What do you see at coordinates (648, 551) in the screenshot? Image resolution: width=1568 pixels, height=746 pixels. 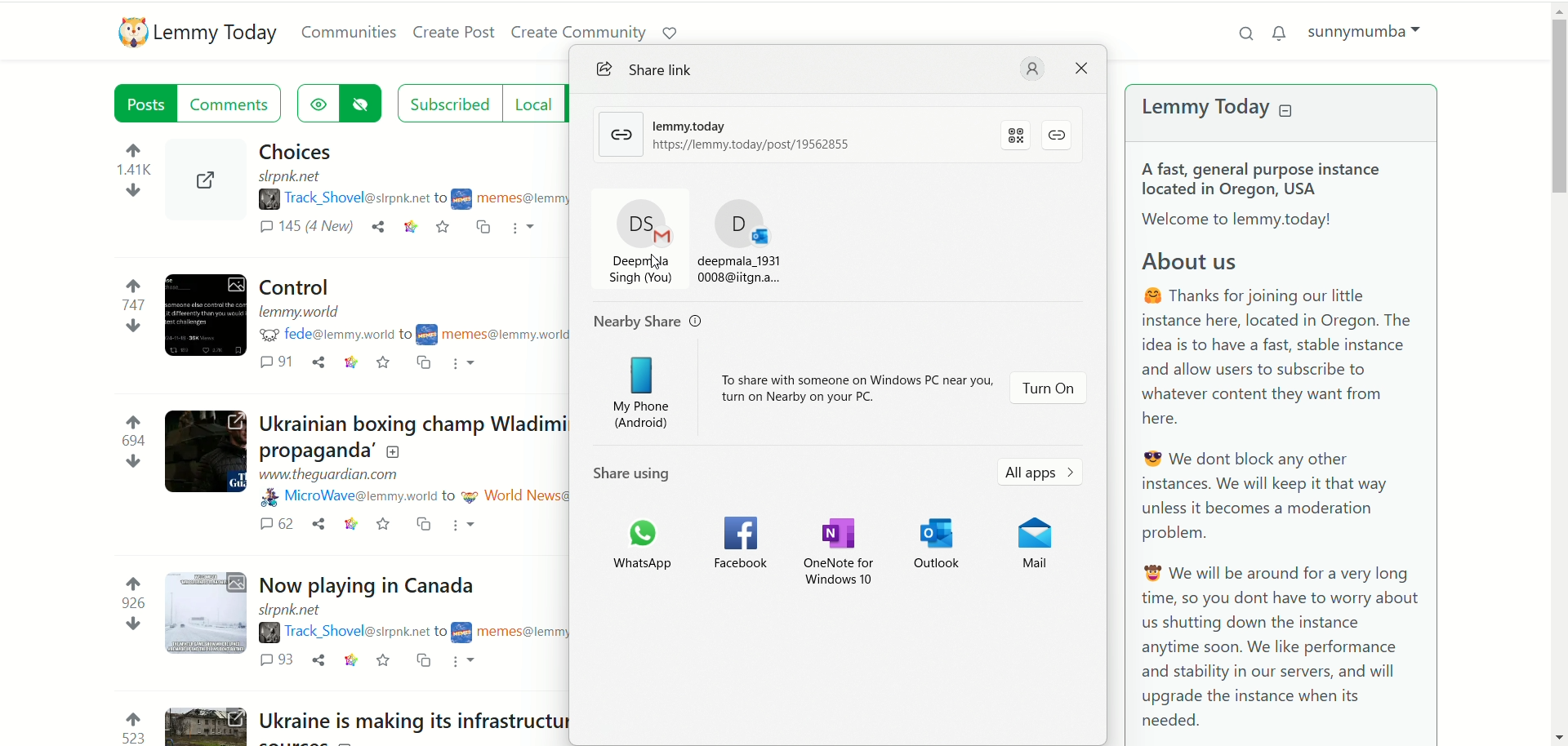 I see `watsapp` at bounding box center [648, 551].